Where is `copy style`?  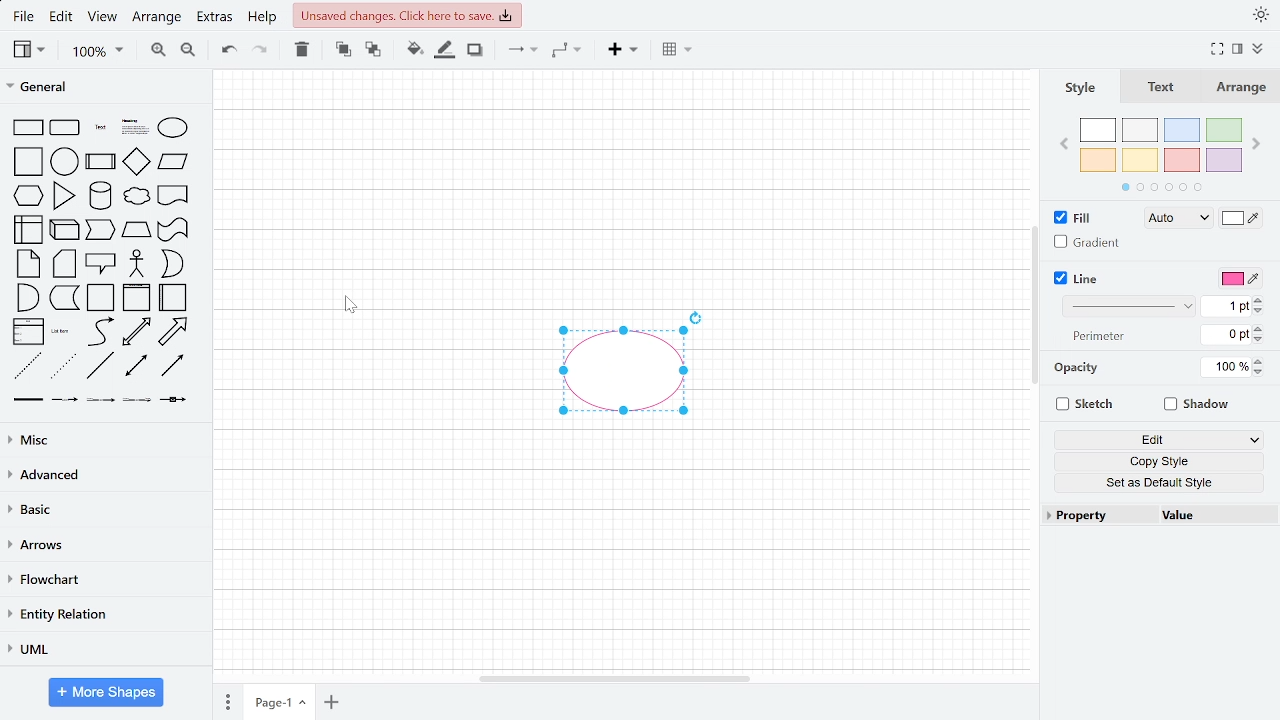 copy style is located at coordinates (1158, 461).